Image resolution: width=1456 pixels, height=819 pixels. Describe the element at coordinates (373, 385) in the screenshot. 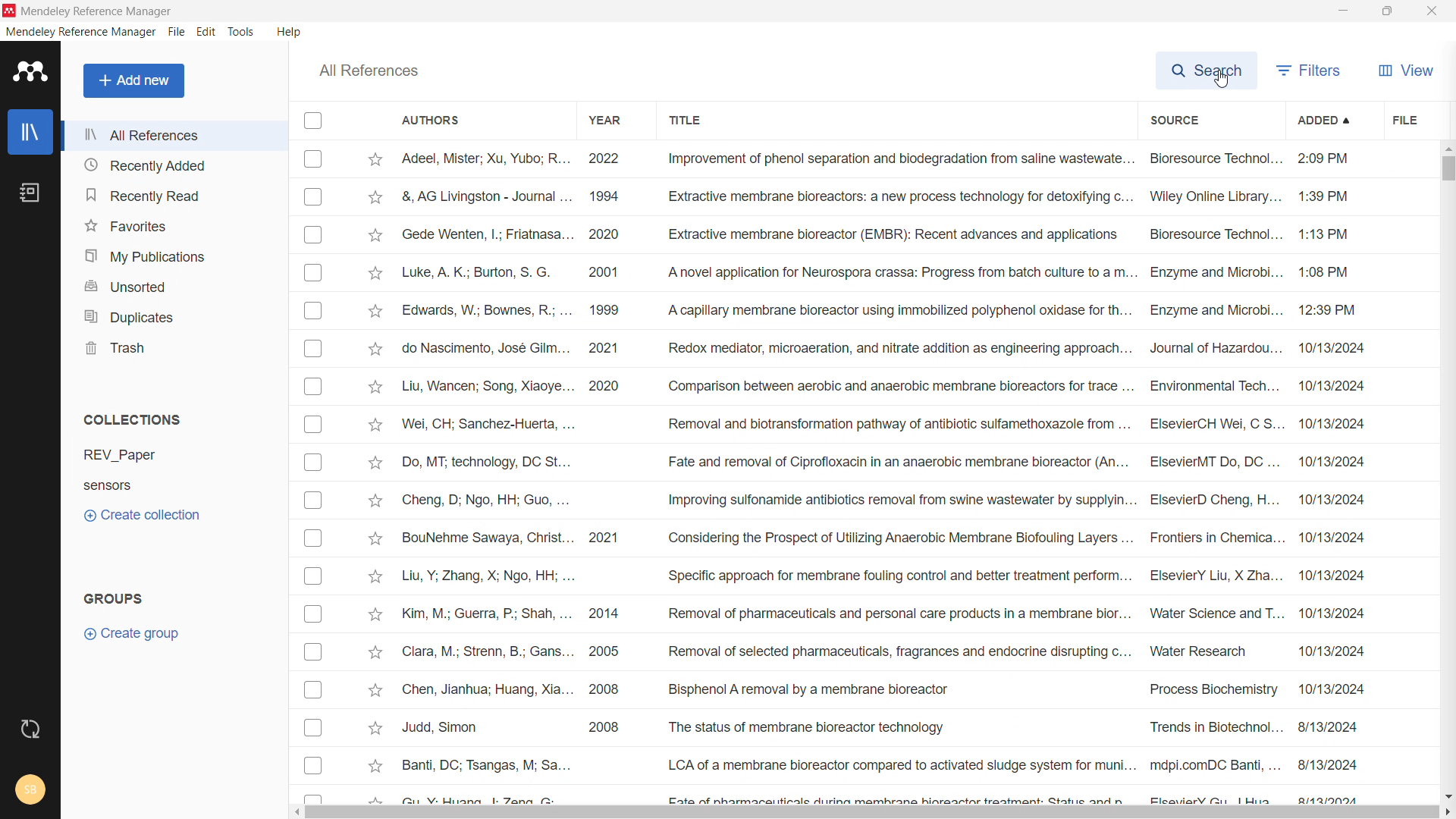

I see `Add to favorites` at that location.